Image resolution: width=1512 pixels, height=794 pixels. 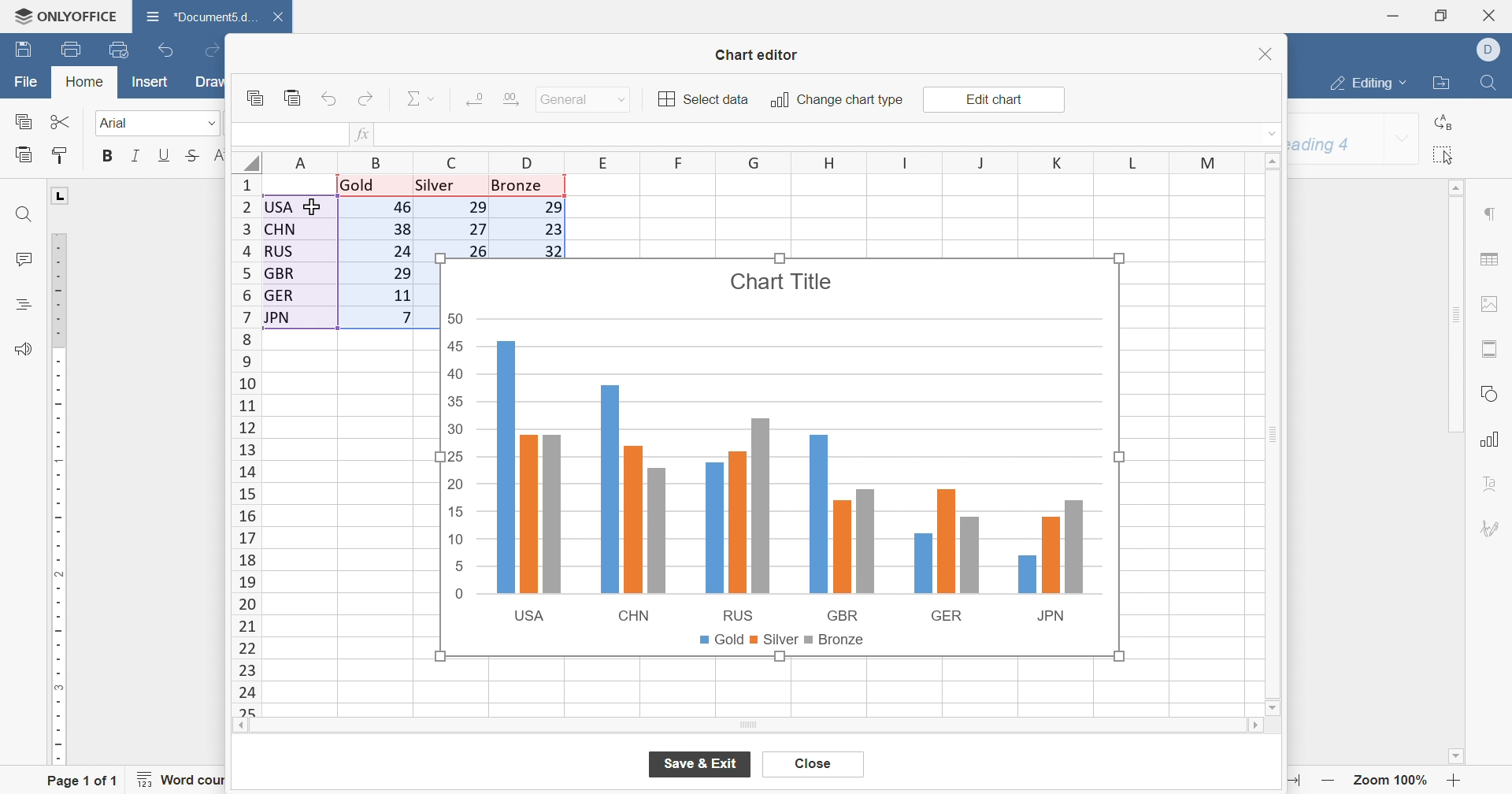 I want to click on Dell, so click(x=1491, y=49).